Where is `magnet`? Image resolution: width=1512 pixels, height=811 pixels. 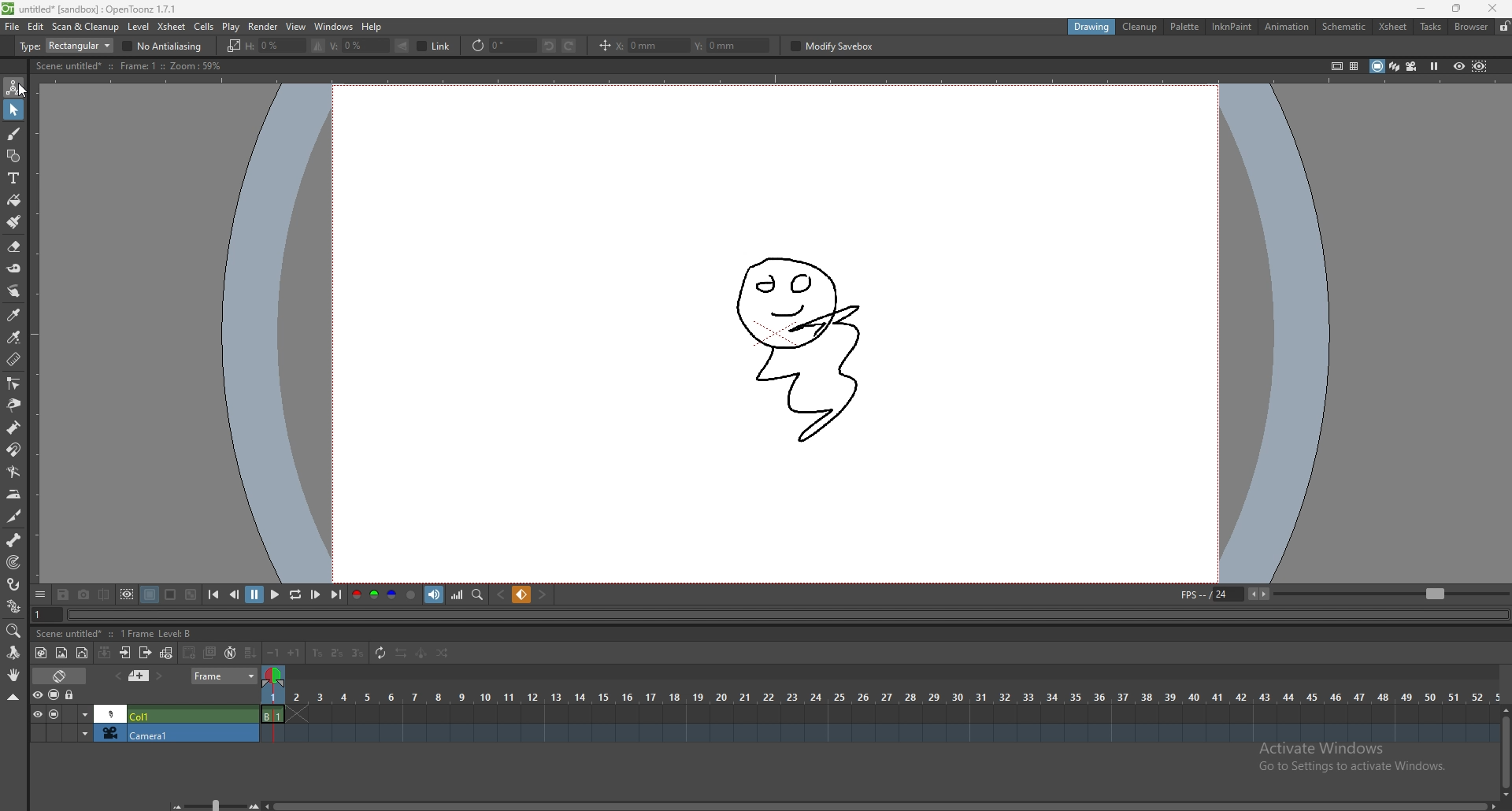 magnet is located at coordinates (13, 450).